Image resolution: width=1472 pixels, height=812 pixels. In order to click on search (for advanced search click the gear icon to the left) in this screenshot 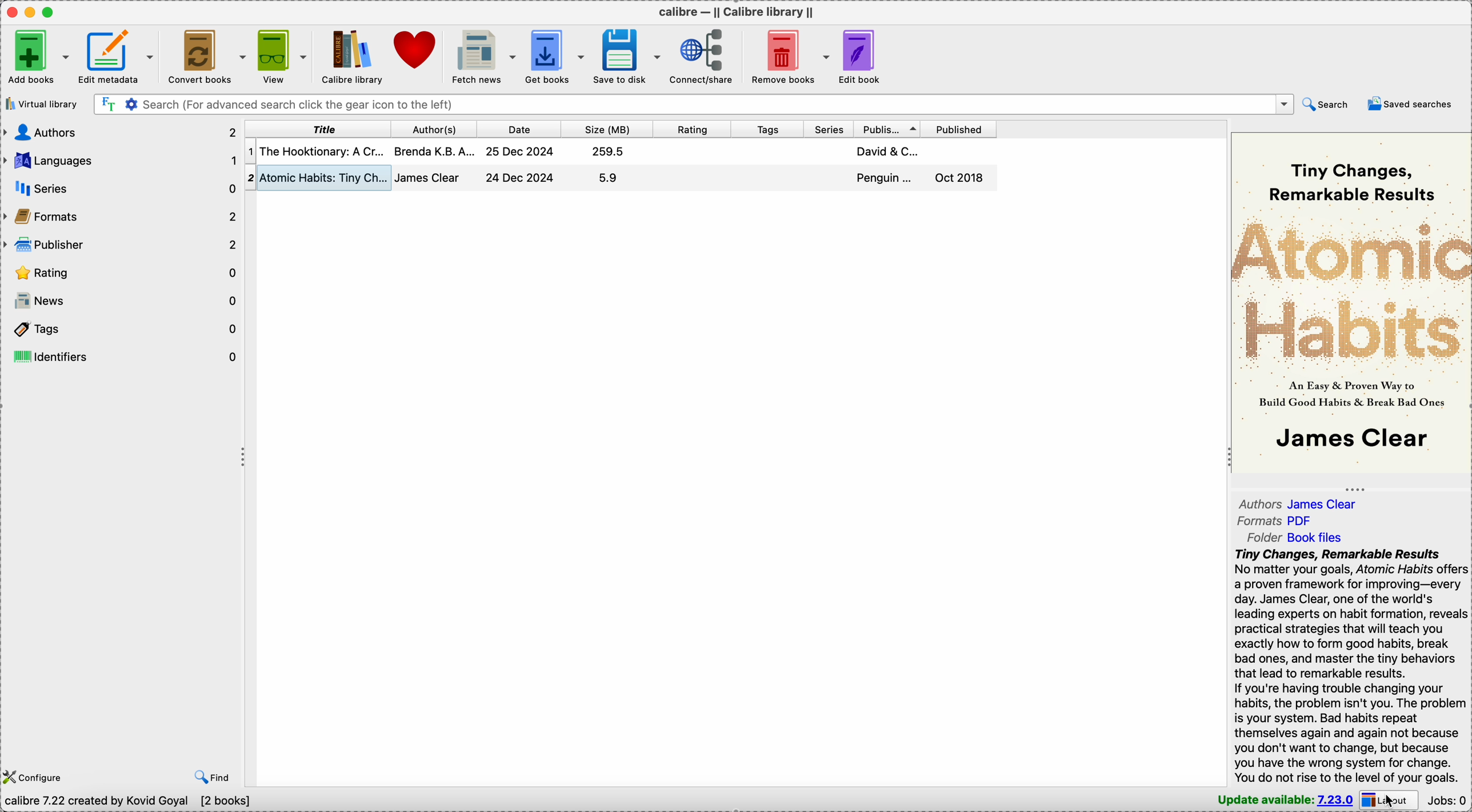, I will do `click(706, 104)`.